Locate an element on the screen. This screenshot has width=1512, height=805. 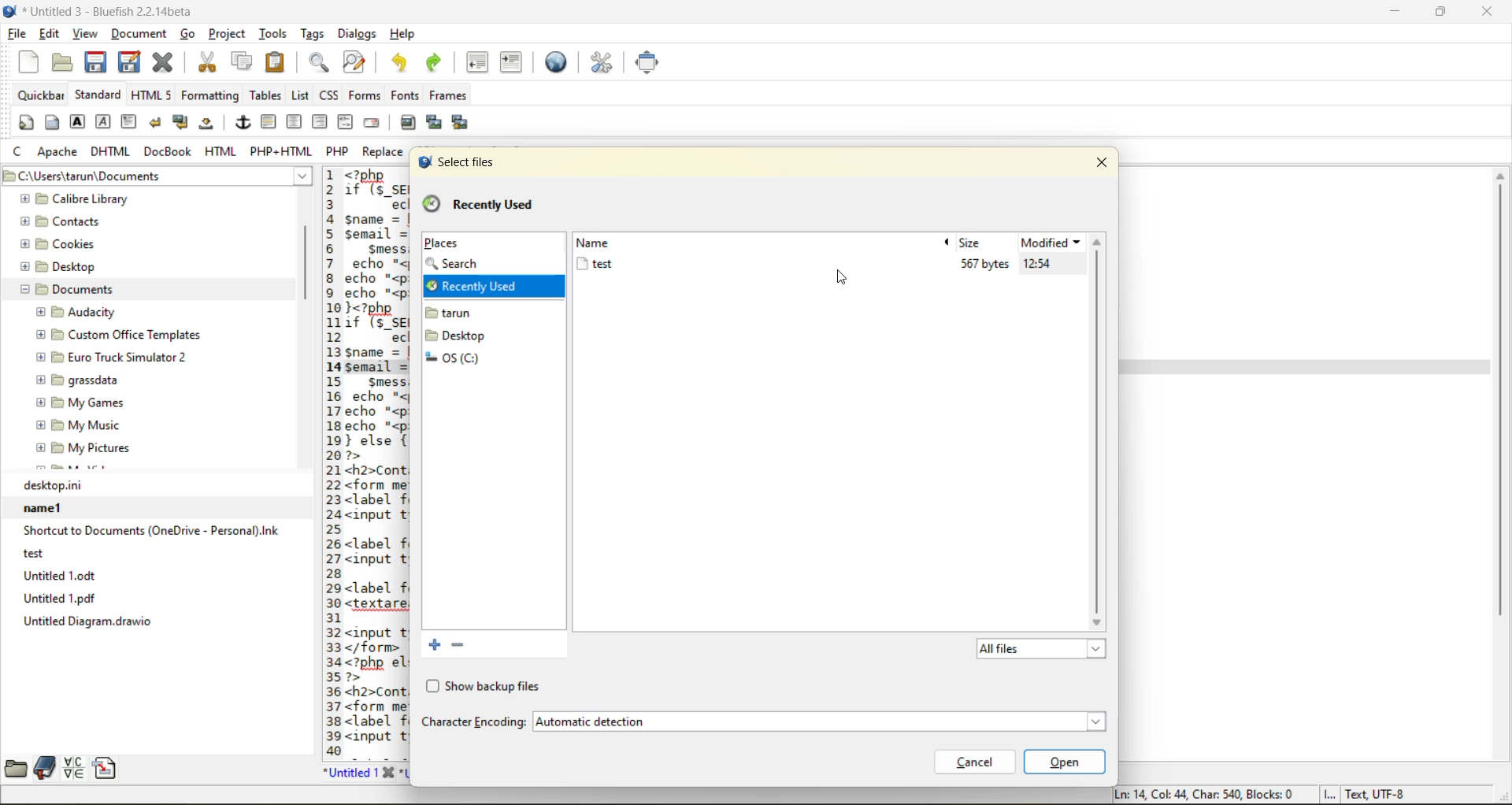
charmap is located at coordinates (76, 768).